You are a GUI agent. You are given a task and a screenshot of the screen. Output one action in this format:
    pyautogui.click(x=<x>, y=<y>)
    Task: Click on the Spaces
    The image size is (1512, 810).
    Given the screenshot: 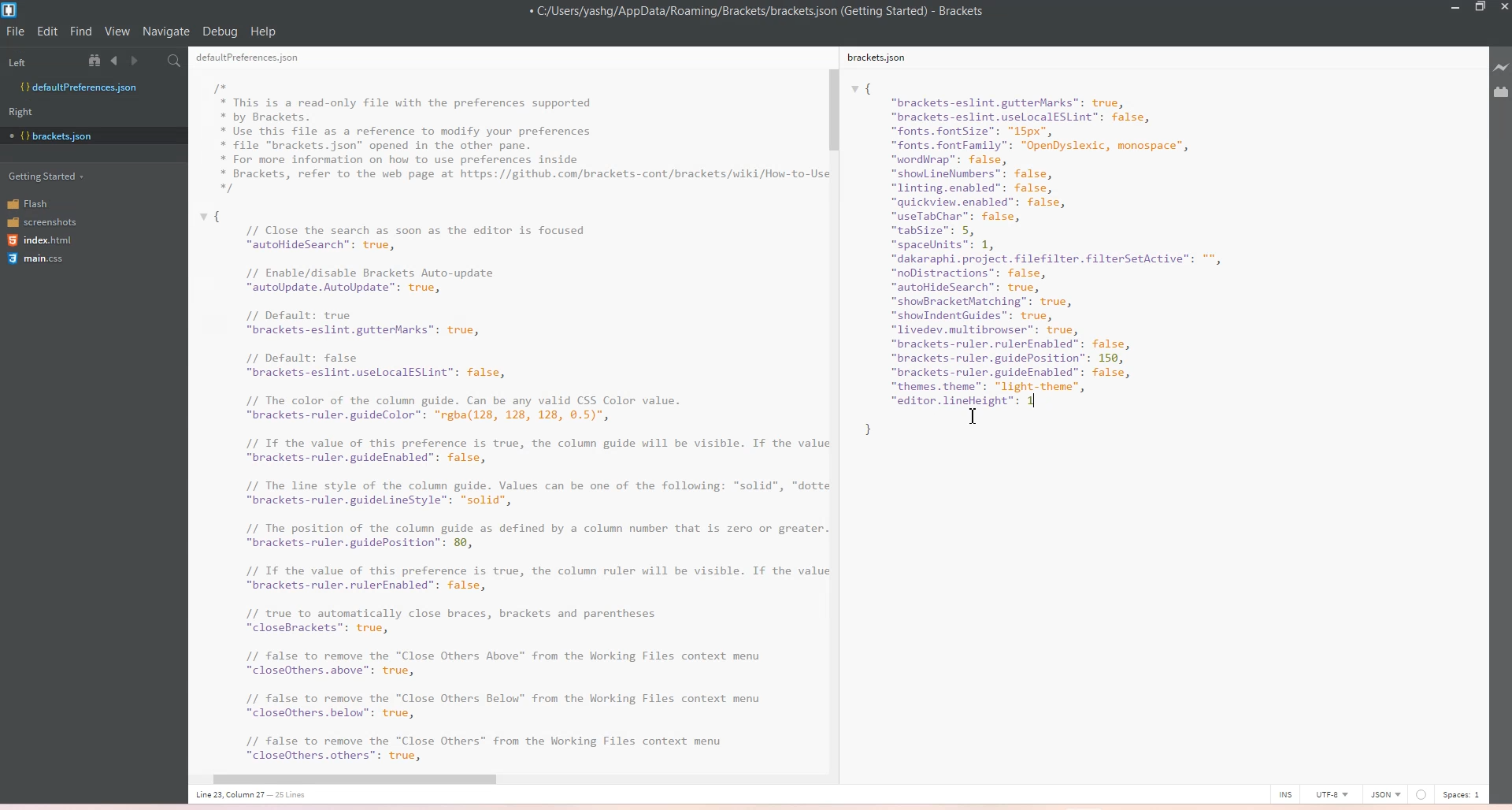 What is the action you would take?
    pyautogui.click(x=1465, y=793)
    